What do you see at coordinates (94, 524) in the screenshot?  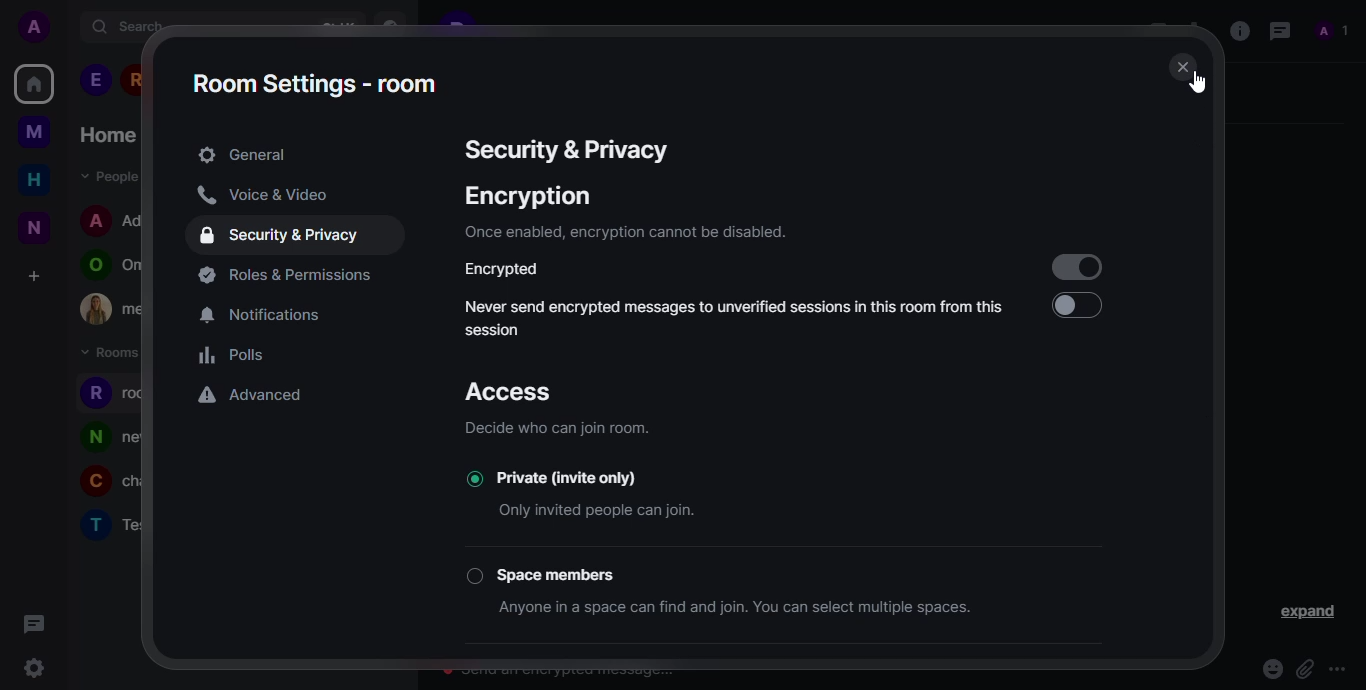 I see `profile` at bounding box center [94, 524].